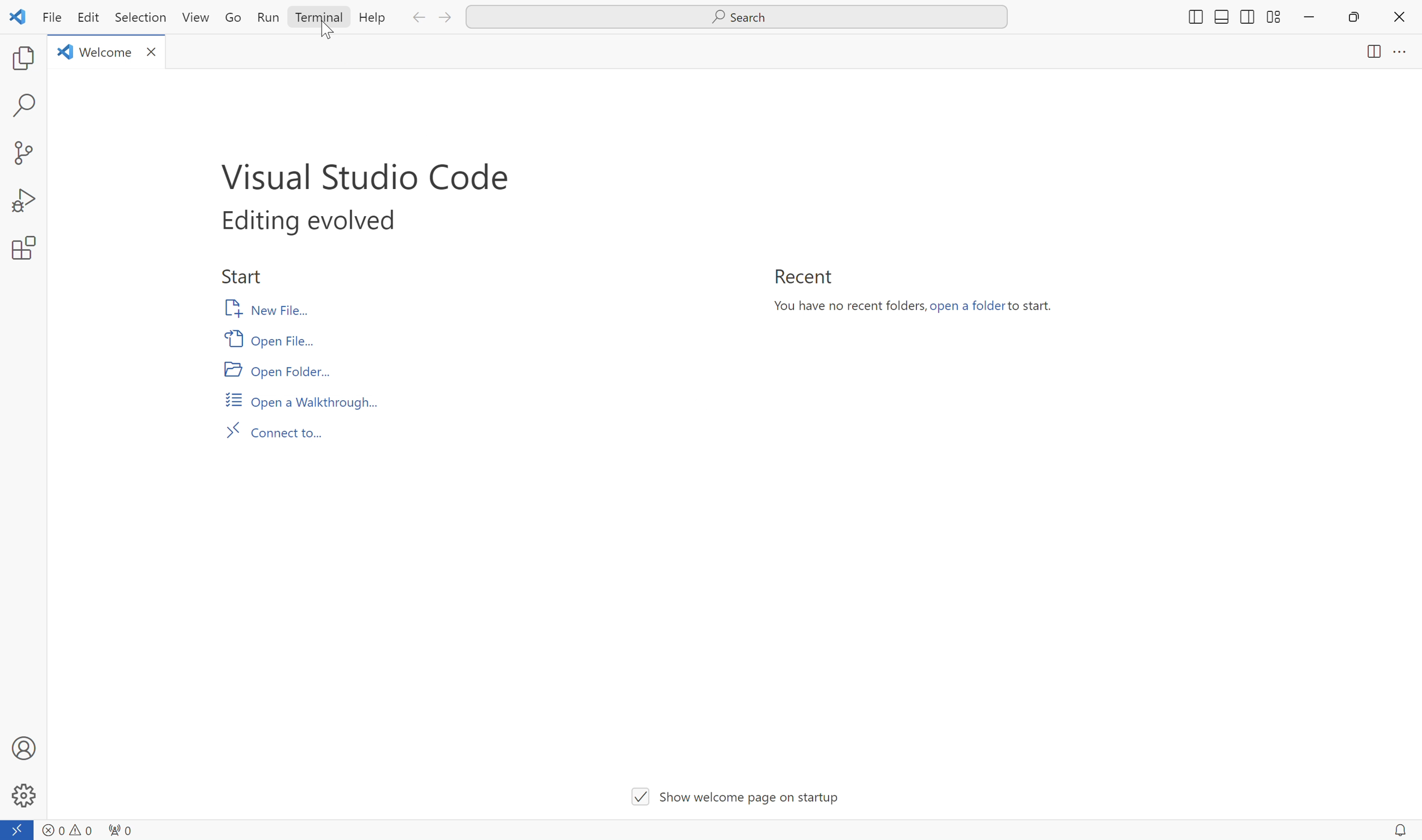  I want to click on Visual Studio Code, so click(364, 173).